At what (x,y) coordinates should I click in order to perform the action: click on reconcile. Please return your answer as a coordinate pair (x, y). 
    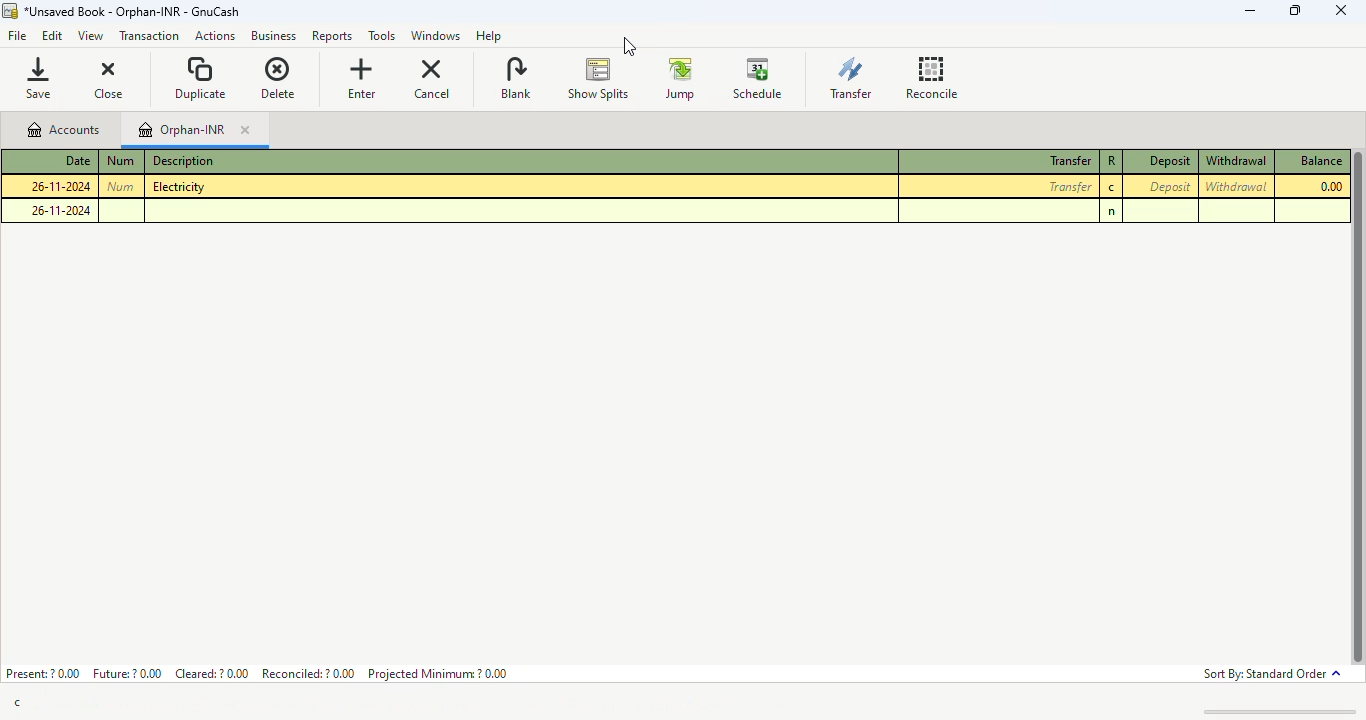
    Looking at the image, I should click on (932, 77).